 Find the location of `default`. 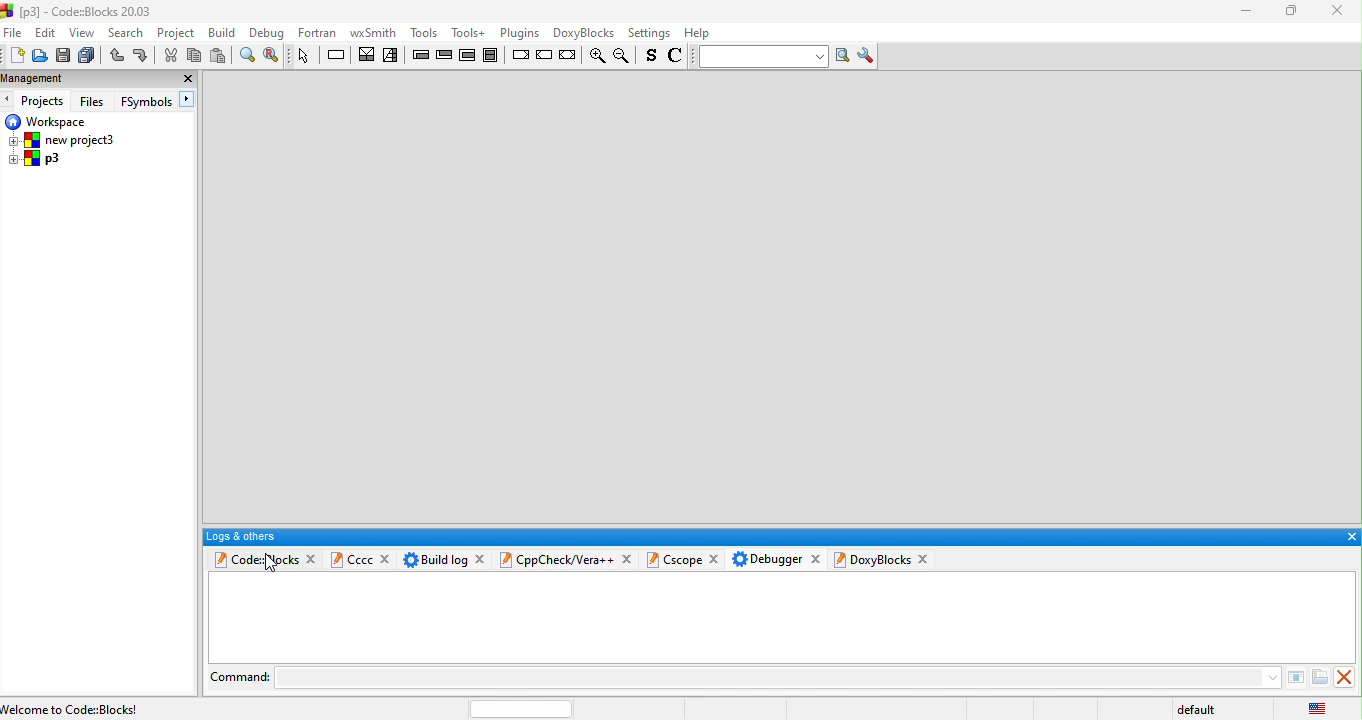

default is located at coordinates (1201, 710).